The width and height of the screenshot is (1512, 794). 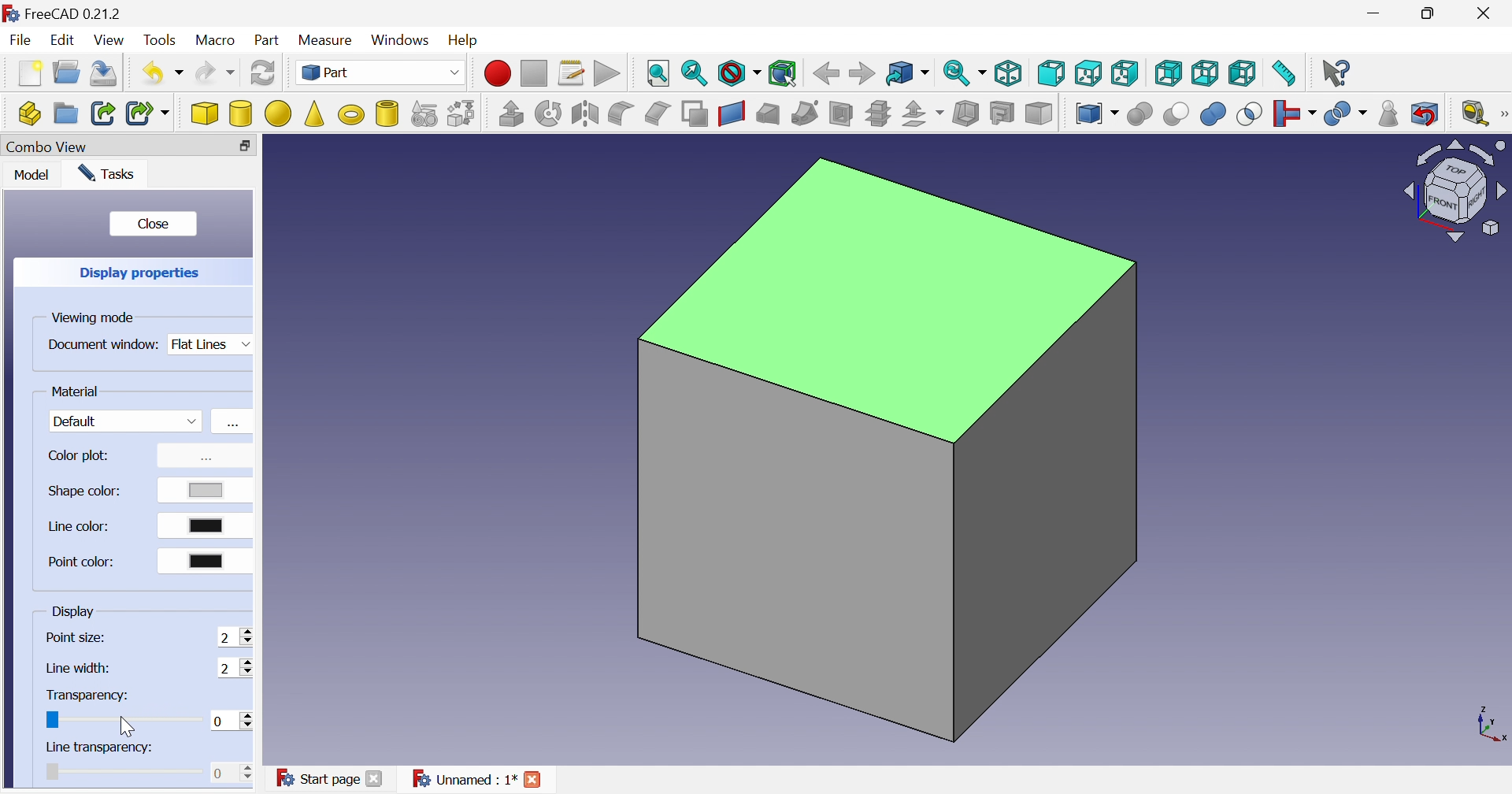 I want to click on Offset, so click(x=925, y=114).